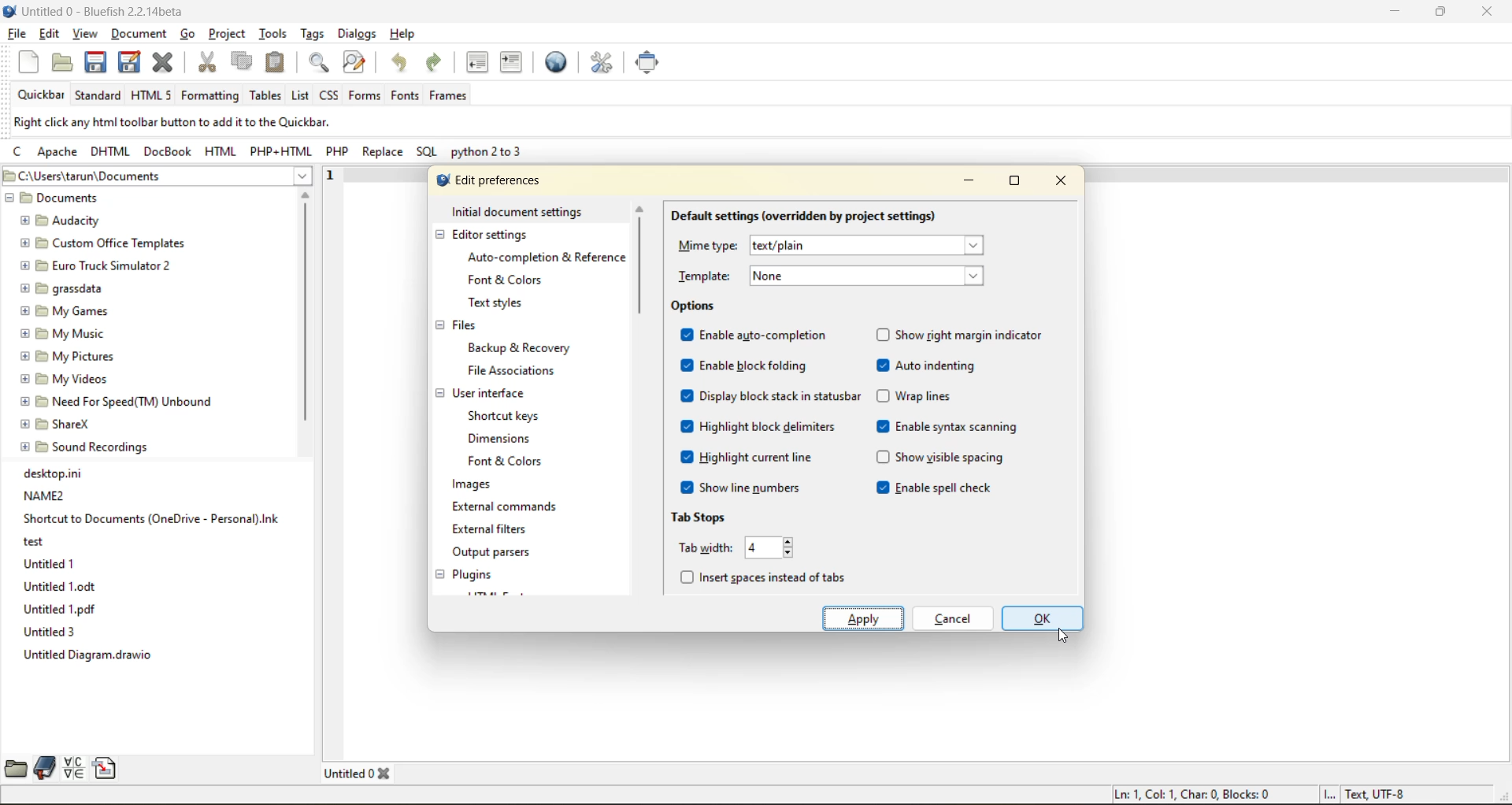  What do you see at coordinates (1063, 181) in the screenshot?
I see `close` at bounding box center [1063, 181].